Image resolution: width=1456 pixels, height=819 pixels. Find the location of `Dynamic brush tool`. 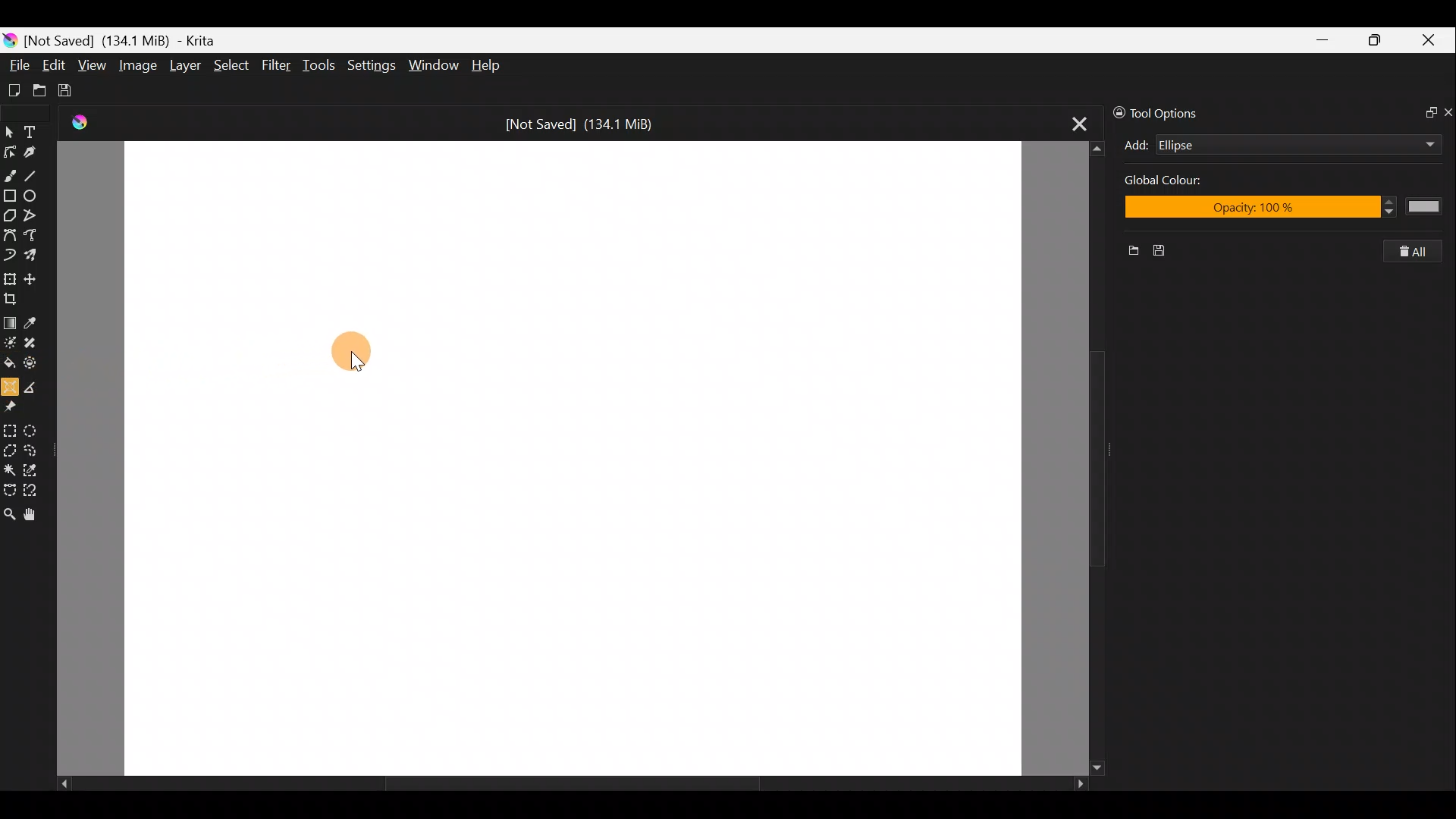

Dynamic brush tool is located at coordinates (9, 256).